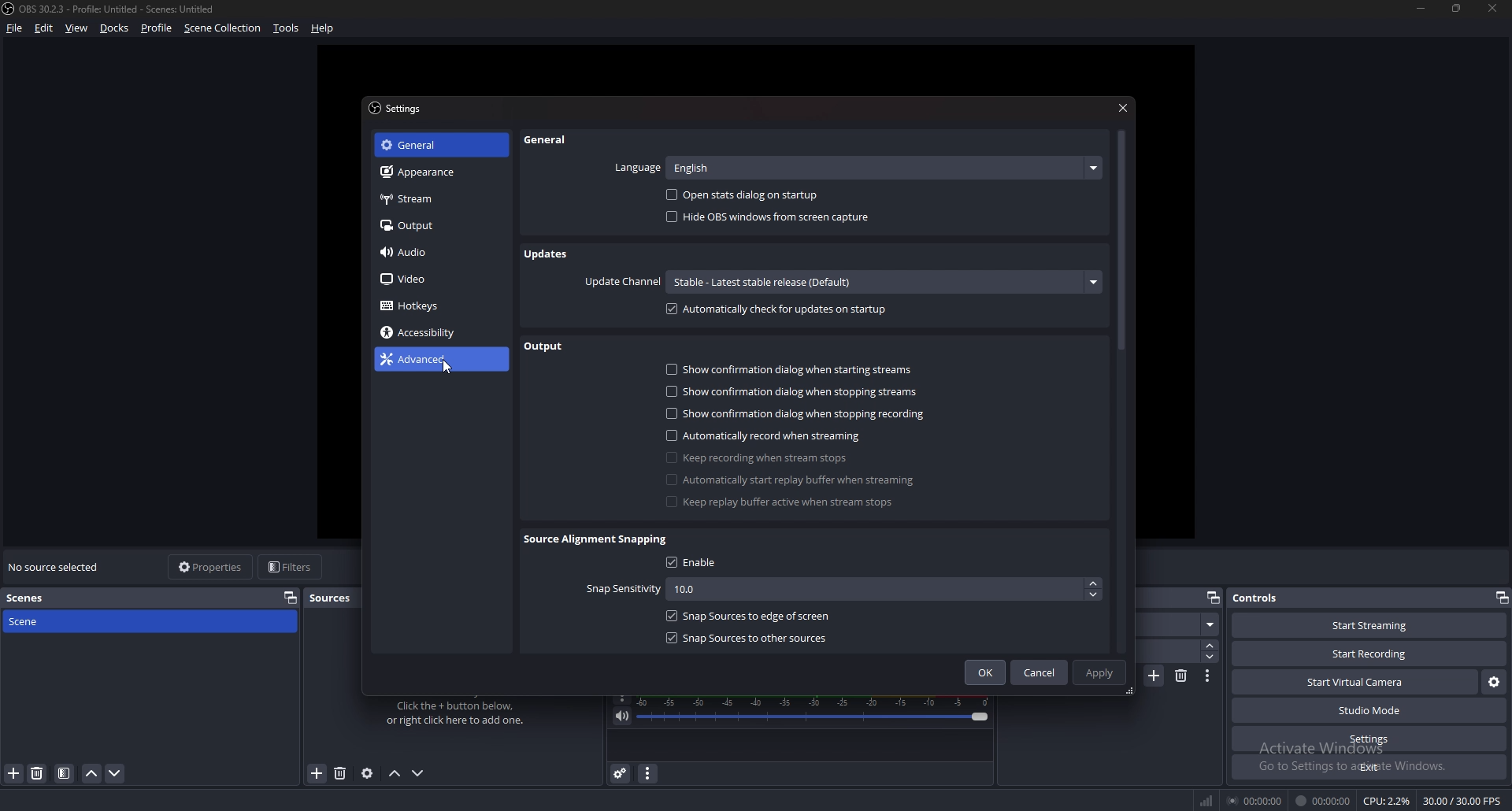 Image resolution: width=1512 pixels, height=811 pixels. What do you see at coordinates (1370, 654) in the screenshot?
I see `start recording` at bounding box center [1370, 654].